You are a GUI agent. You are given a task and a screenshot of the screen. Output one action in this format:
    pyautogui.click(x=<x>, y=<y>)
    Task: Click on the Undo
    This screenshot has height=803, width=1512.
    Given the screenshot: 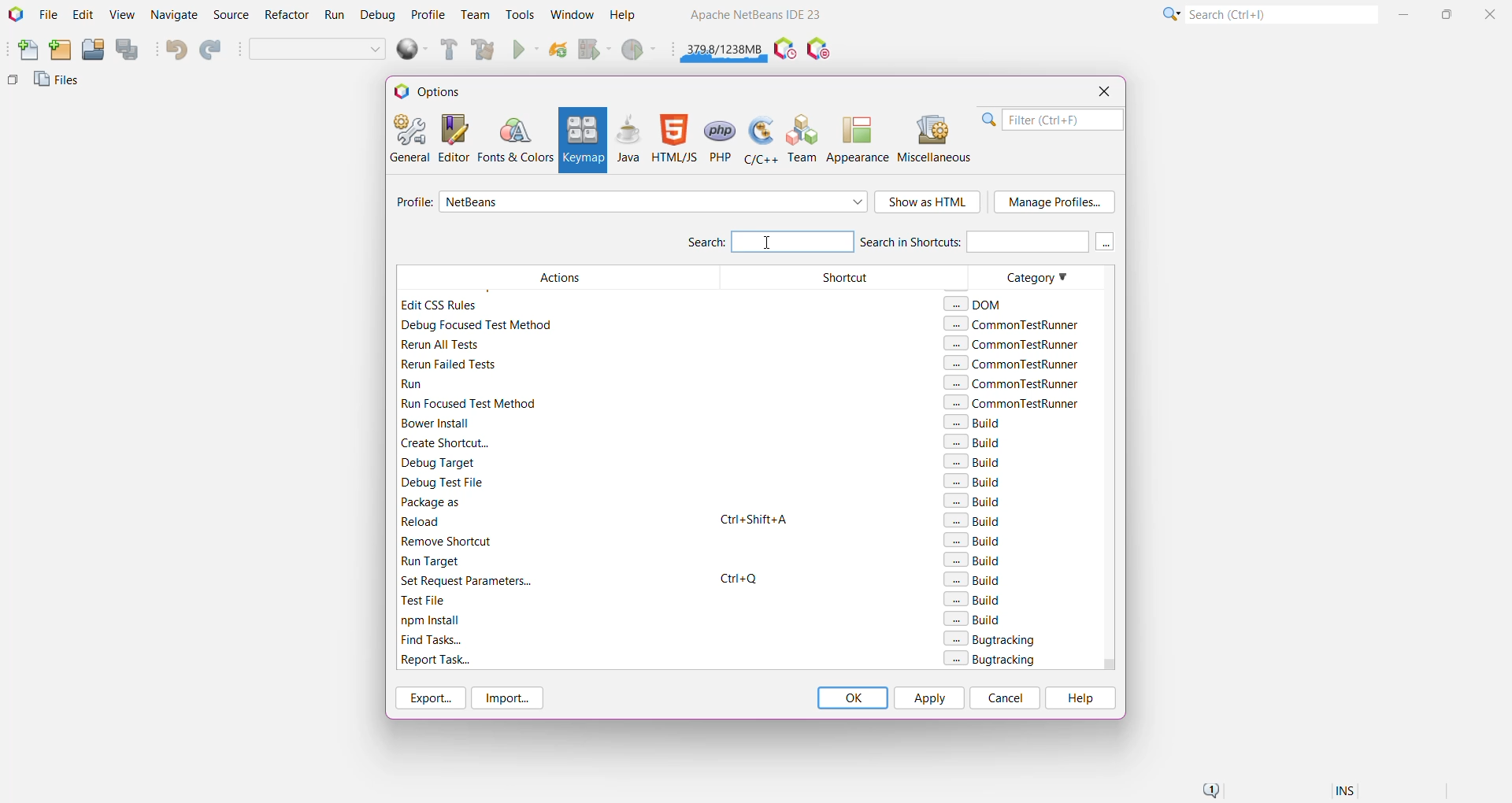 What is the action you would take?
    pyautogui.click(x=175, y=50)
    